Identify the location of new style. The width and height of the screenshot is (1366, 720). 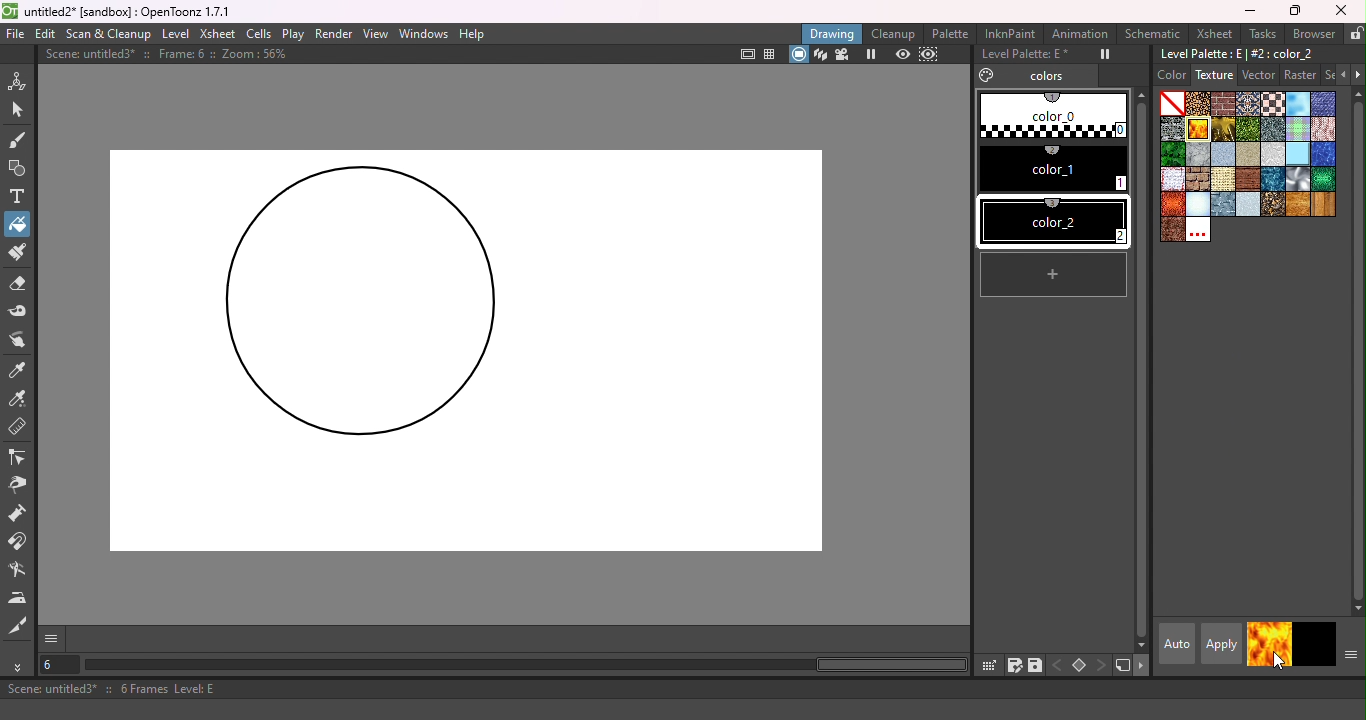
(1122, 666).